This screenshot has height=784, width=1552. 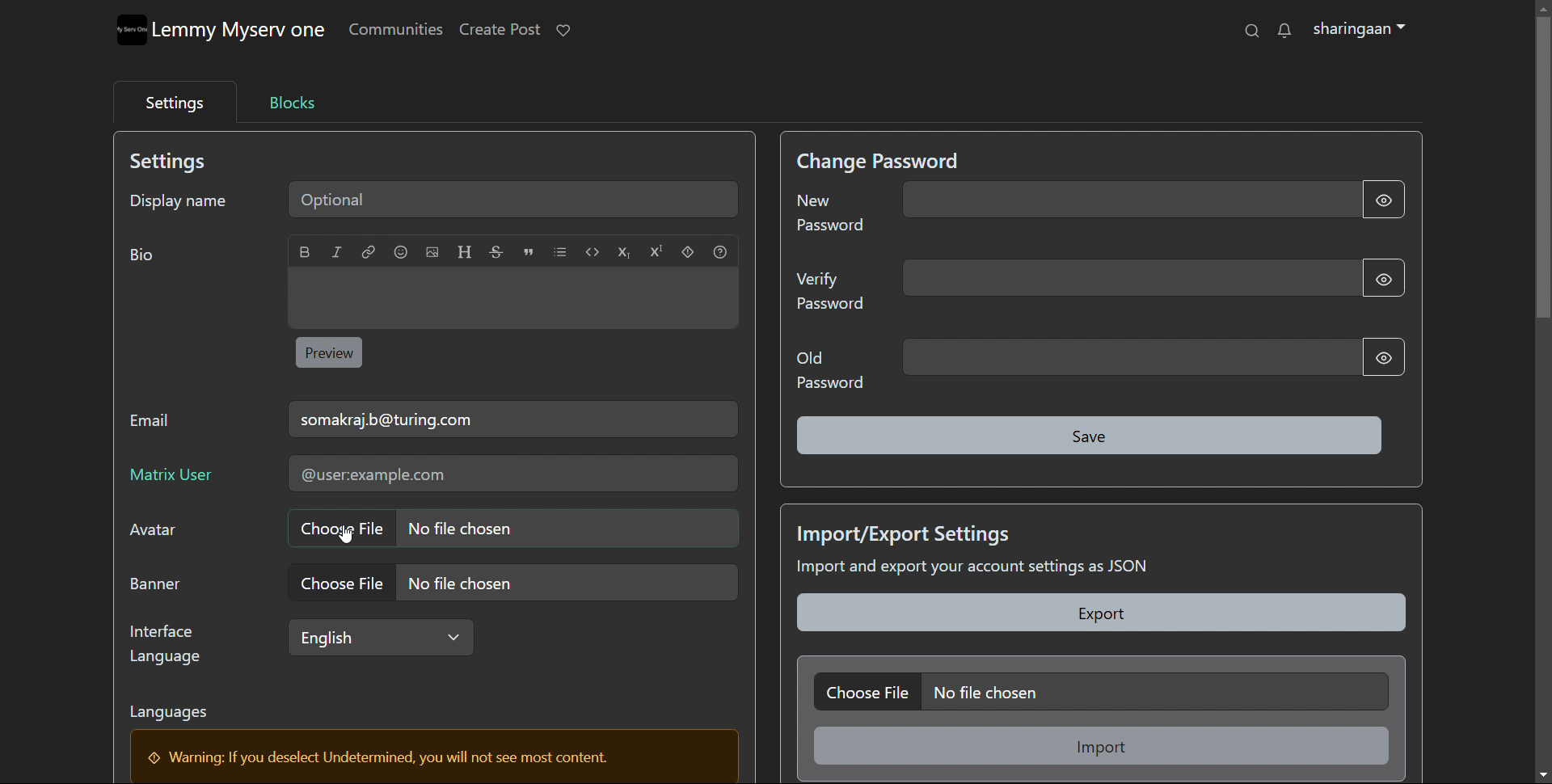 What do you see at coordinates (563, 31) in the screenshot?
I see `donate to lemmy` at bounding box center [563, 31].